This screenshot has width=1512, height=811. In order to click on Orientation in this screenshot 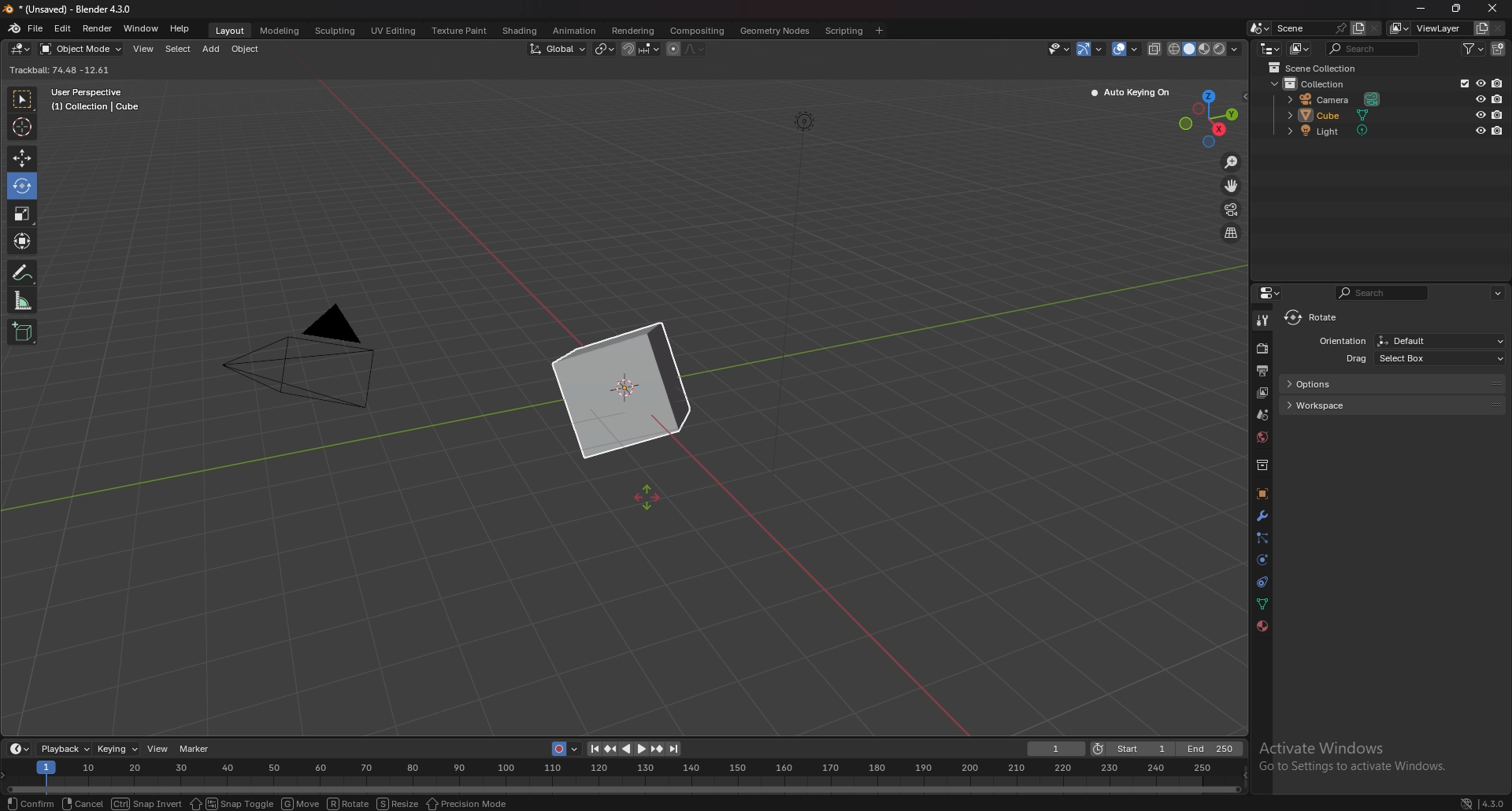, I will do `click(1341, 340)`.